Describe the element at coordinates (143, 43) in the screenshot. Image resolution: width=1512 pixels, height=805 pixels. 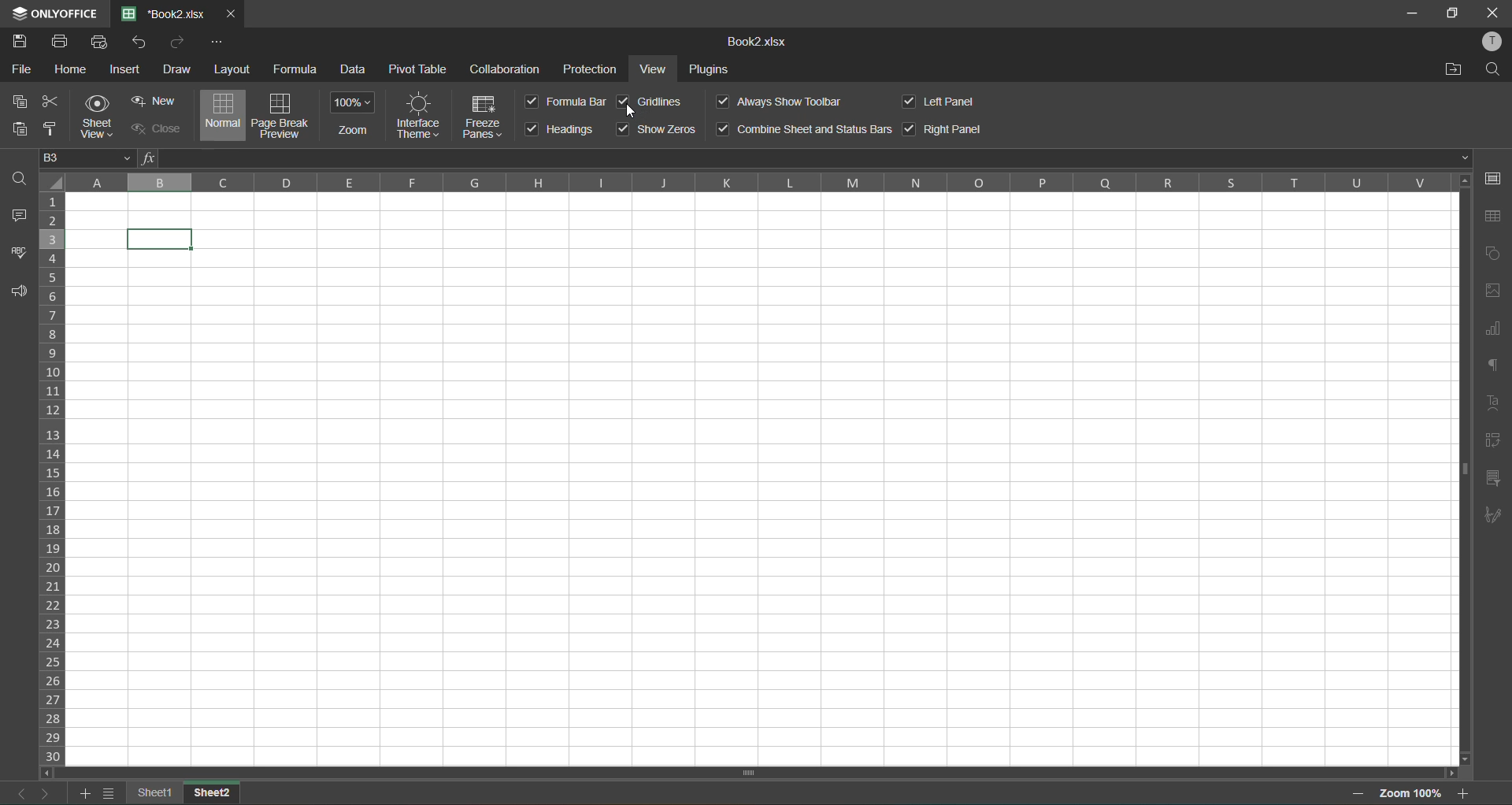
I see `undo` at that location.